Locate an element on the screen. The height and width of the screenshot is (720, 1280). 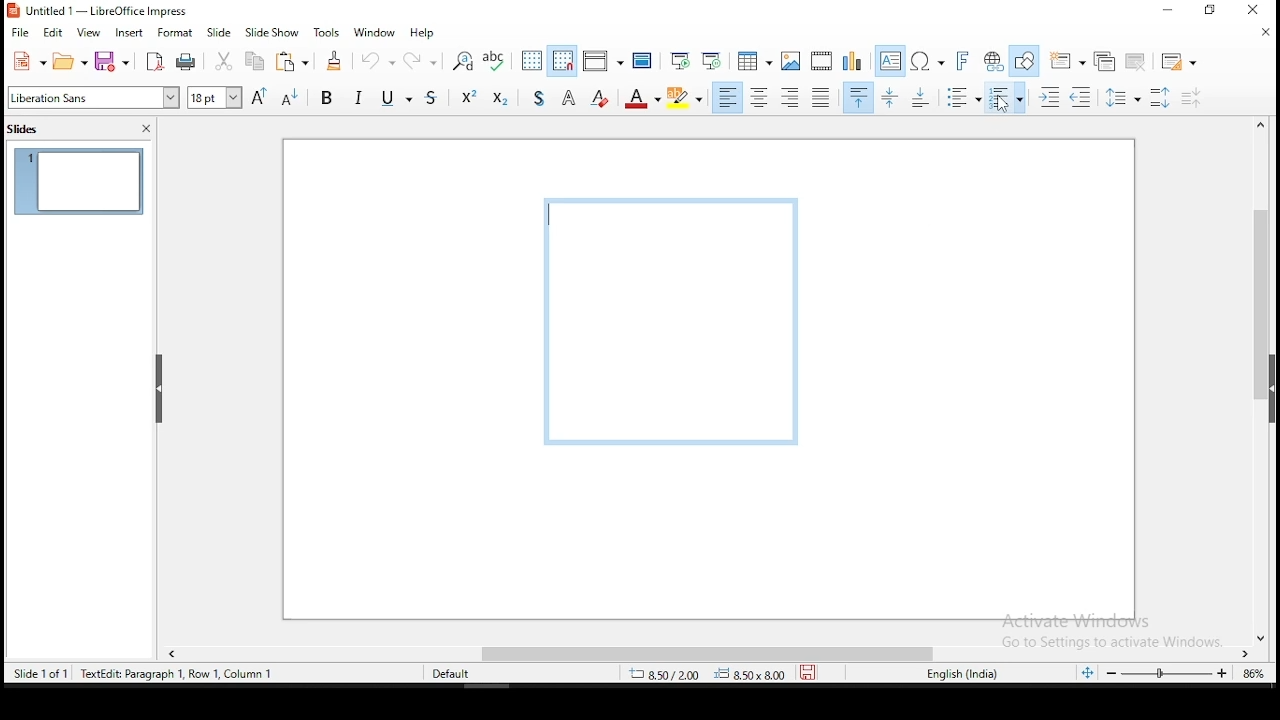
display views is located at coordinates (603, 59).